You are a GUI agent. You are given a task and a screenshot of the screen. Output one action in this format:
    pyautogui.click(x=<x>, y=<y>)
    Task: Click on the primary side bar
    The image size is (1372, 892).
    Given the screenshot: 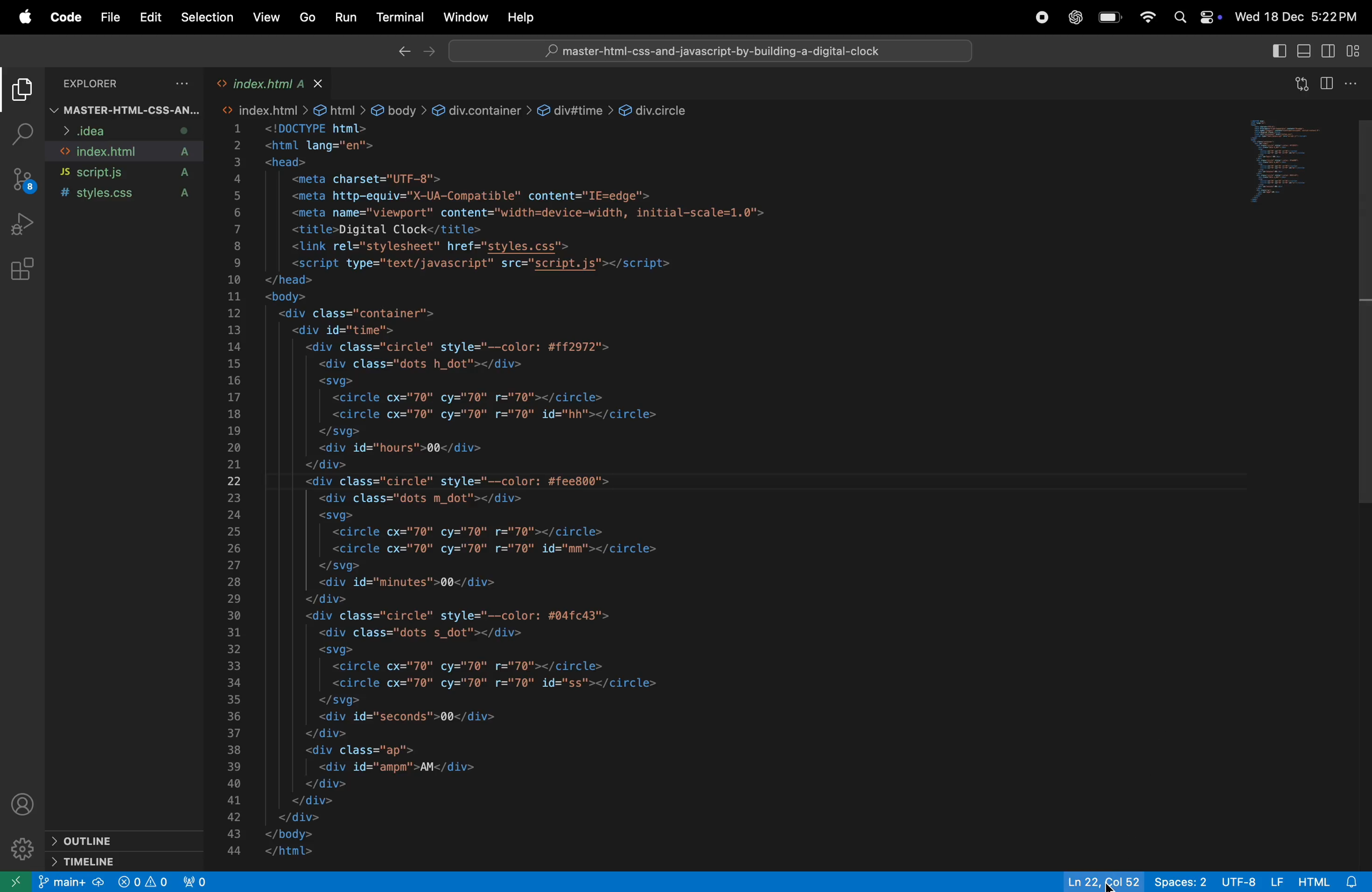 What is the action you would take?
    pyautogui.click(x=1276, y=52)
    